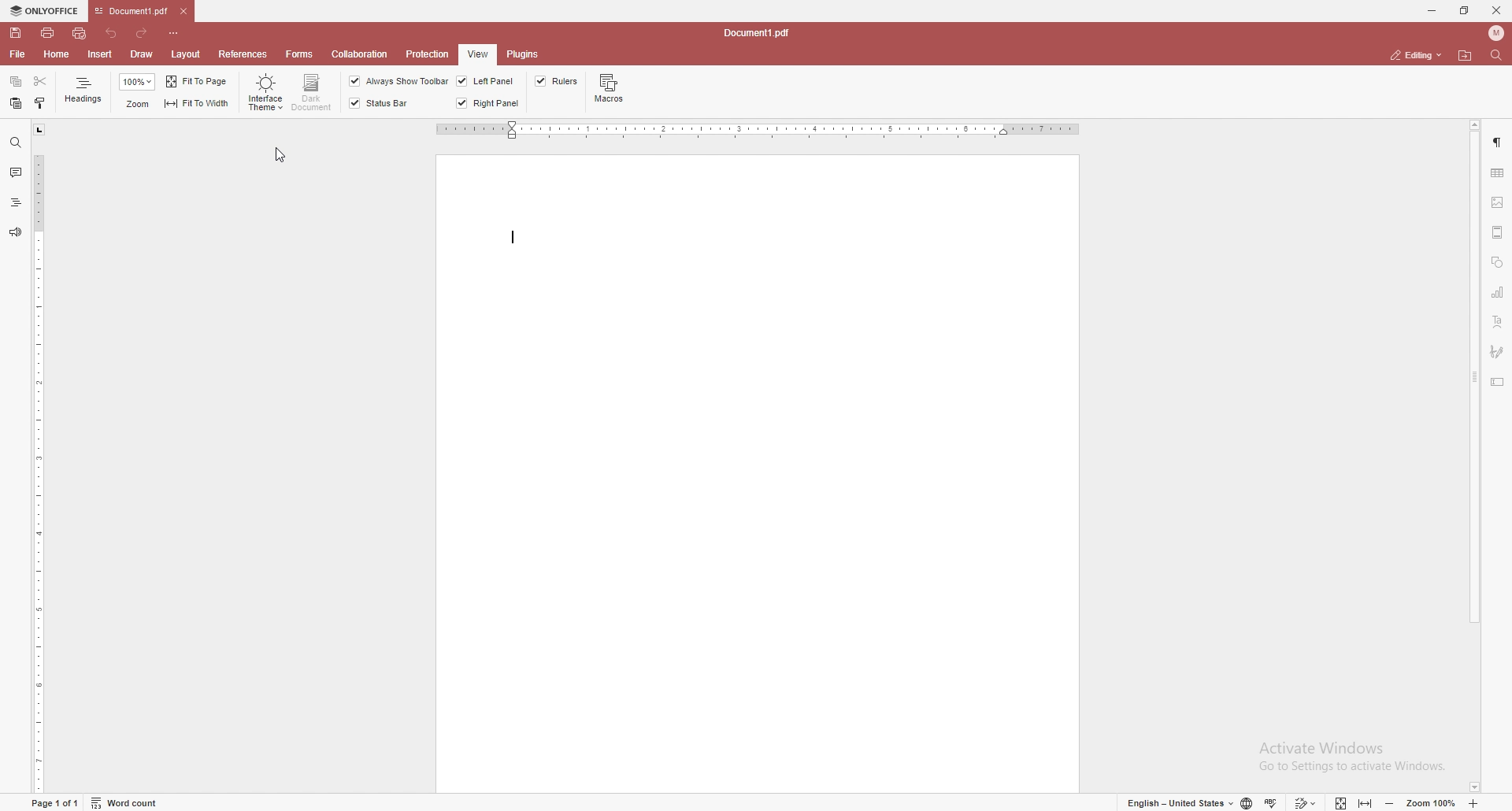 The width and height of the screenshot is (1512, 811). I want to click on redo, so click(143, 34).